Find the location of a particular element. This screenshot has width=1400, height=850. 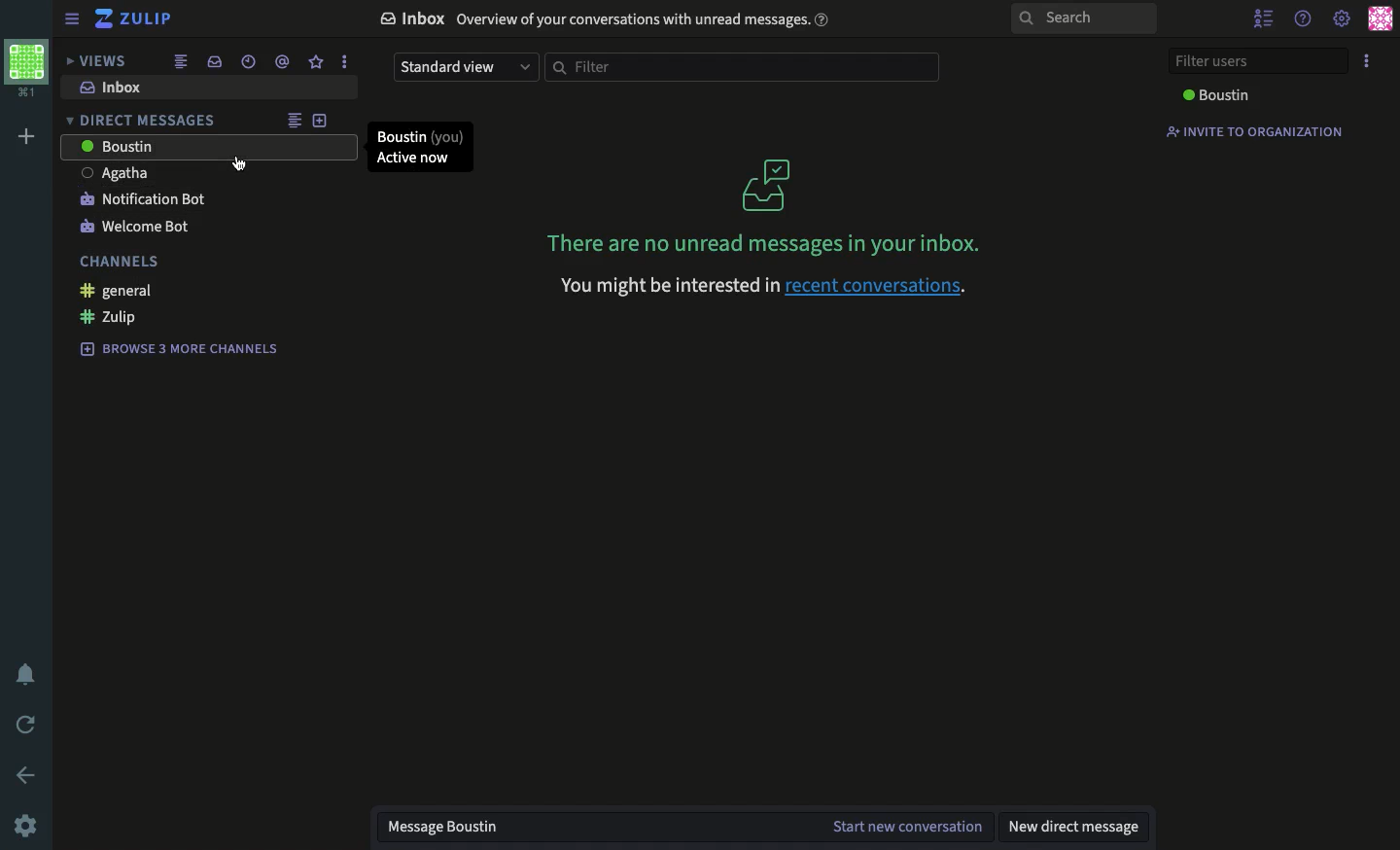

recent conversations is located at coordinates (880, 287).